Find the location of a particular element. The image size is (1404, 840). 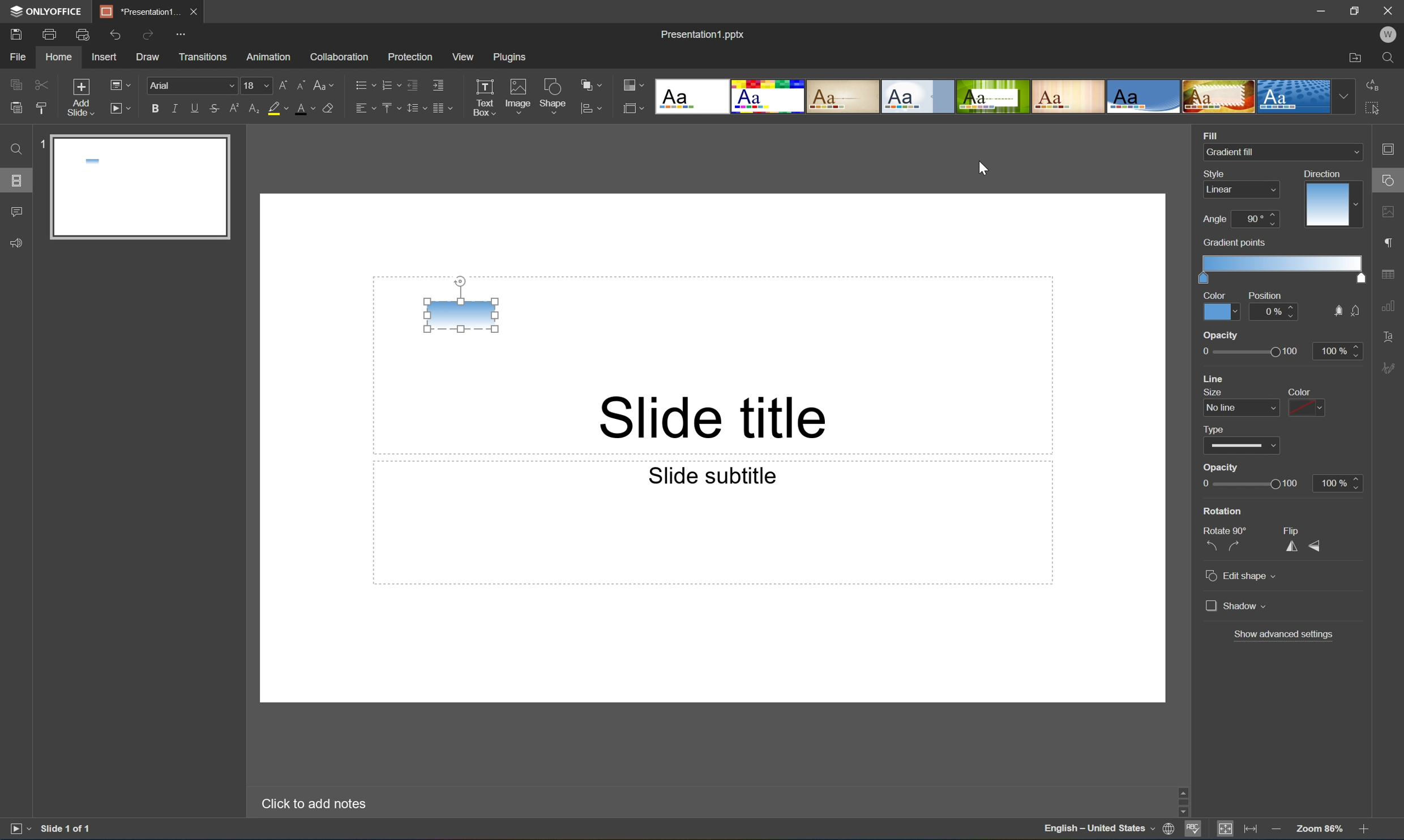

Position is located at coordinates (1264, 295).